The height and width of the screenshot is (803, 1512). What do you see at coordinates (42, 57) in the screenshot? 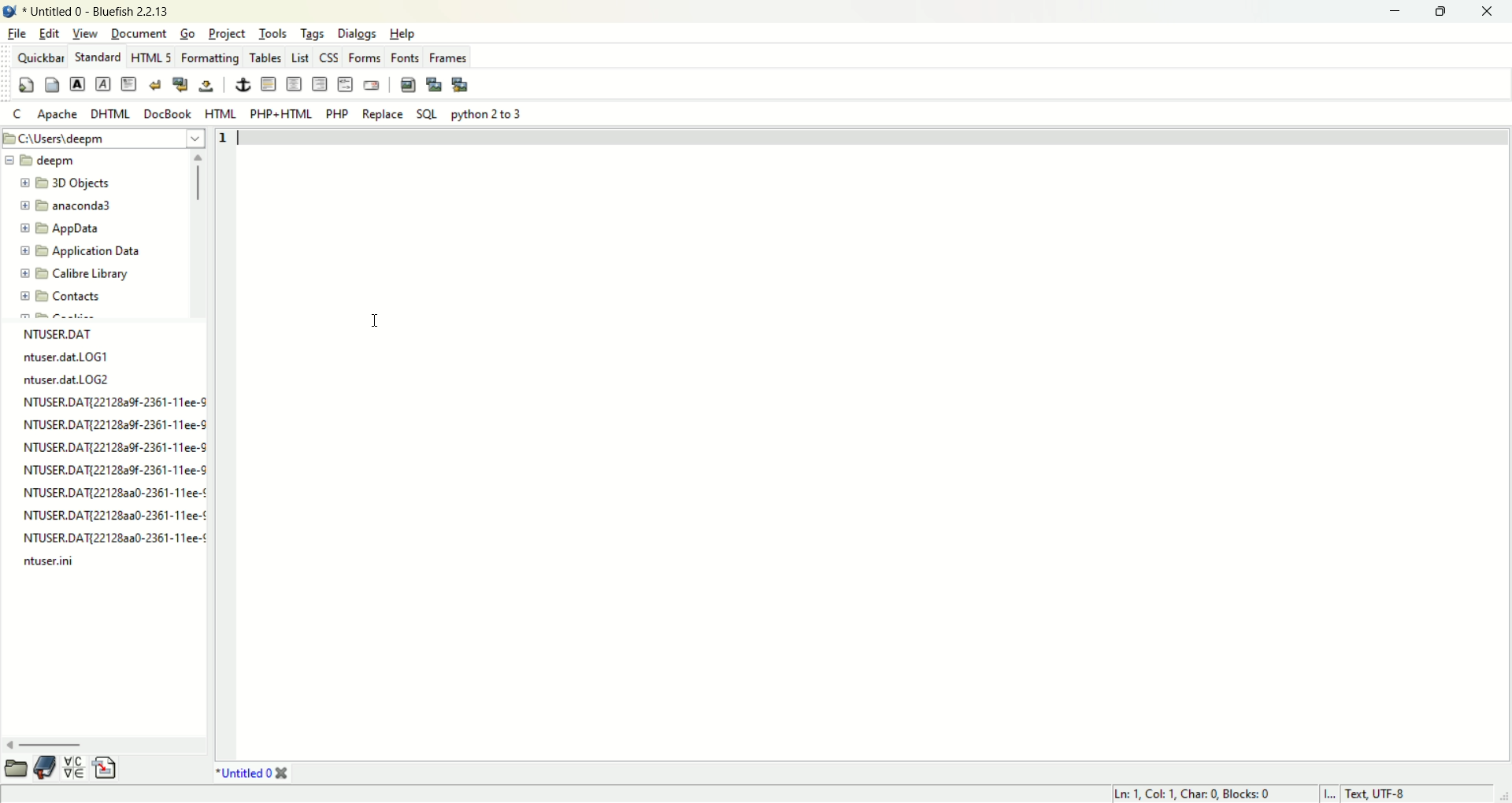
I see `quickbar` at bounding box center [42, 57].